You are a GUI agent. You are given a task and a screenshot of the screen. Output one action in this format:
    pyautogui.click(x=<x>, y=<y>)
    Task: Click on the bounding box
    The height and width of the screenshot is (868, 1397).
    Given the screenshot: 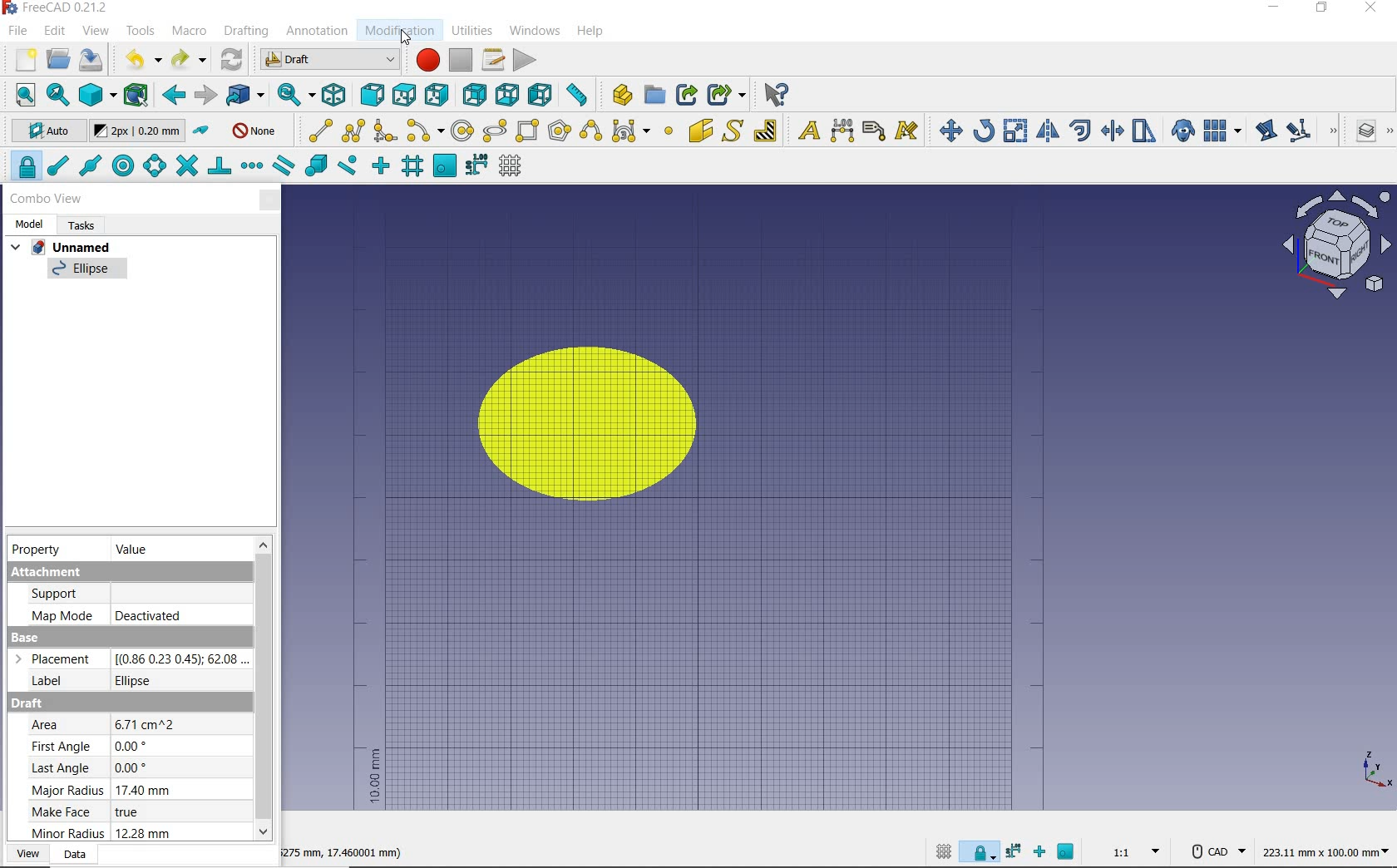 What is the action you would take?
    pyautogui.click(x=137, y=96)
    